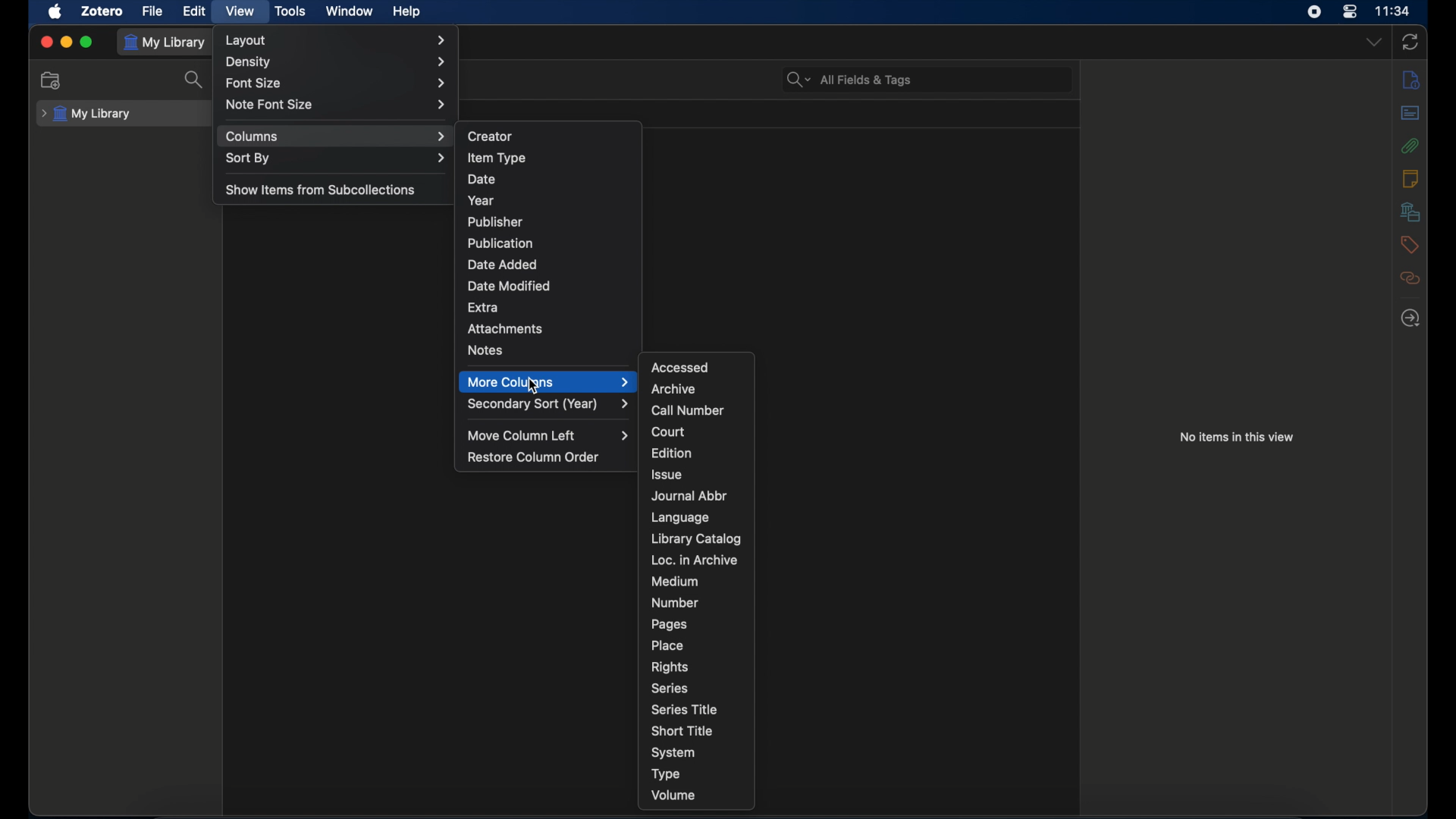 This screenshot has height=819, width=1456. What do you see at coordinates (681, 368) in the screenshot?
I see `accessed` at bounding box center [681, 368].